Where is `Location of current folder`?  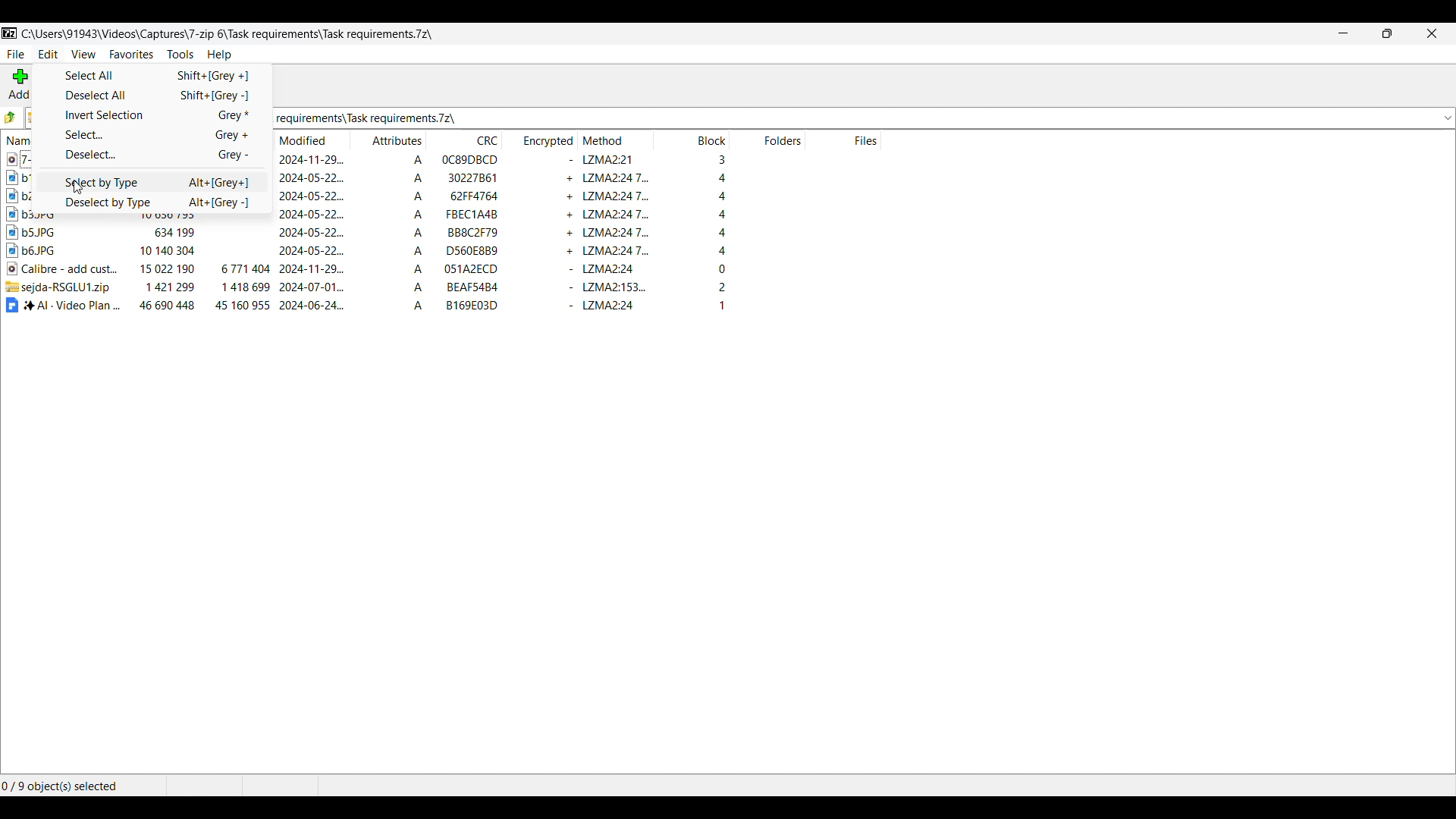 Location of current folder is located at coordinates (229, 34).